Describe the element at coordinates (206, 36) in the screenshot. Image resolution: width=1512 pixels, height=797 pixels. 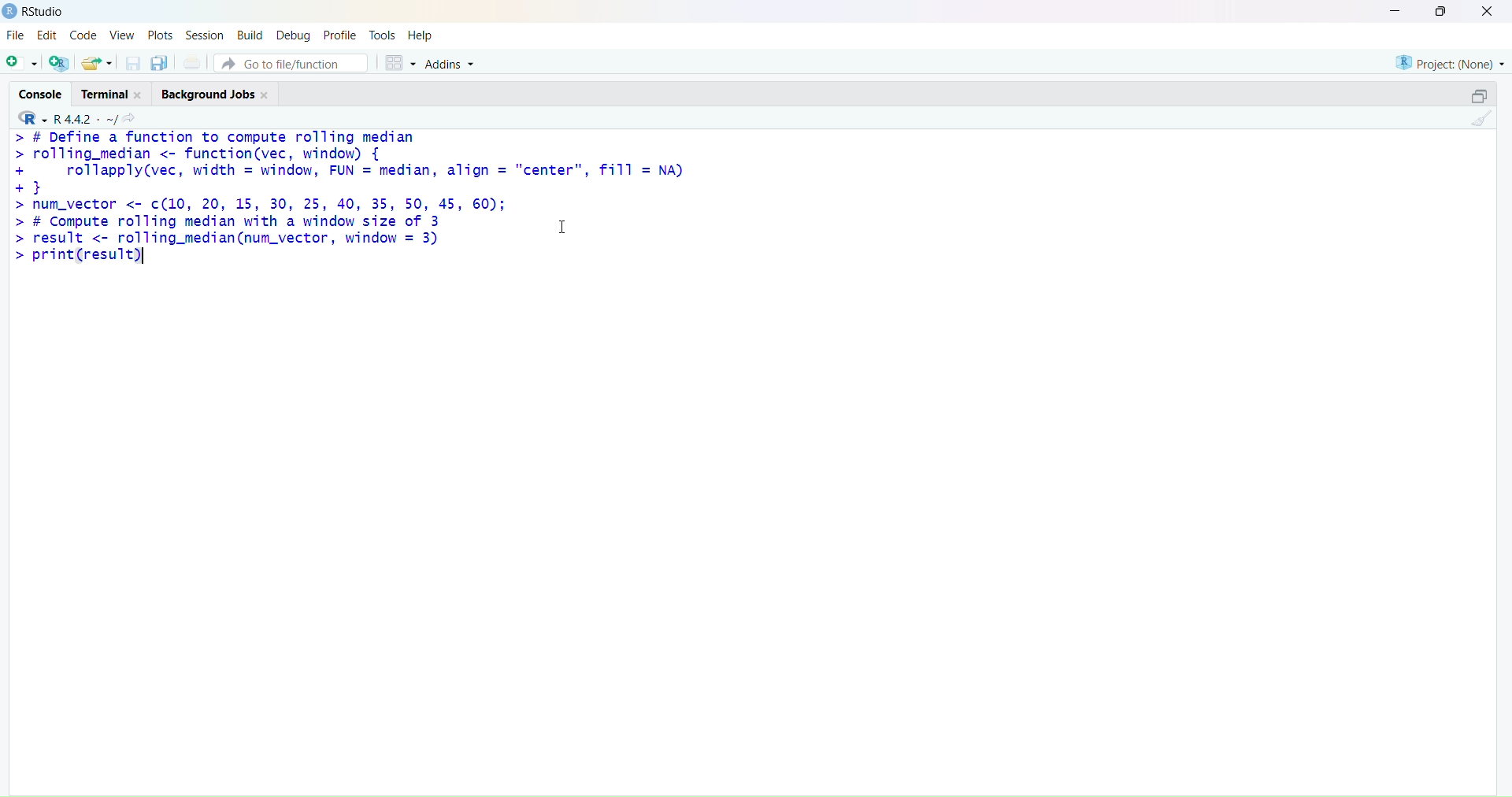
I see `session` at that location.